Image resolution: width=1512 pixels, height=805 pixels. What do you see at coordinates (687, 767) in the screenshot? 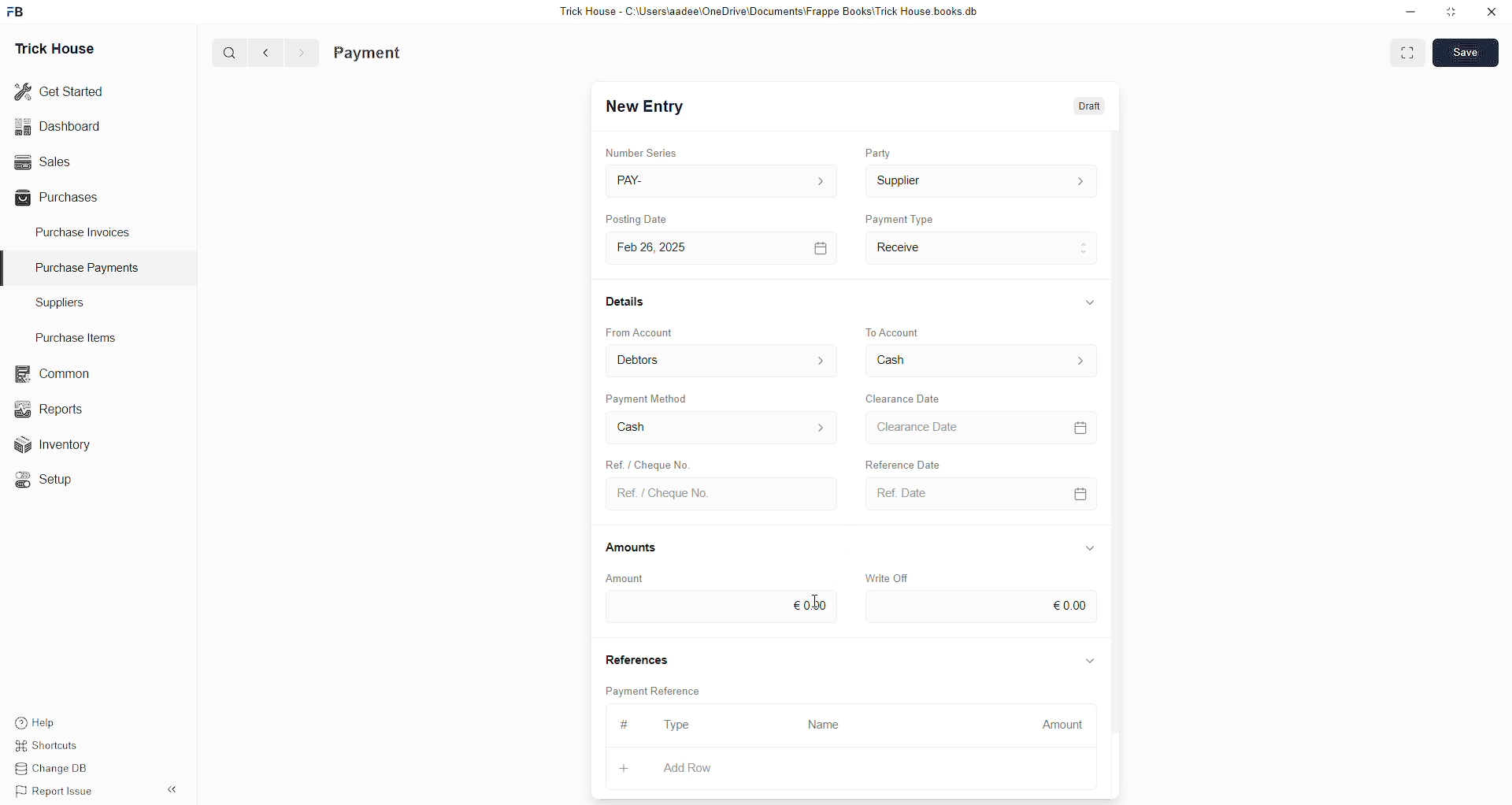
I see `Add Row` at bounding box center [687, 767].